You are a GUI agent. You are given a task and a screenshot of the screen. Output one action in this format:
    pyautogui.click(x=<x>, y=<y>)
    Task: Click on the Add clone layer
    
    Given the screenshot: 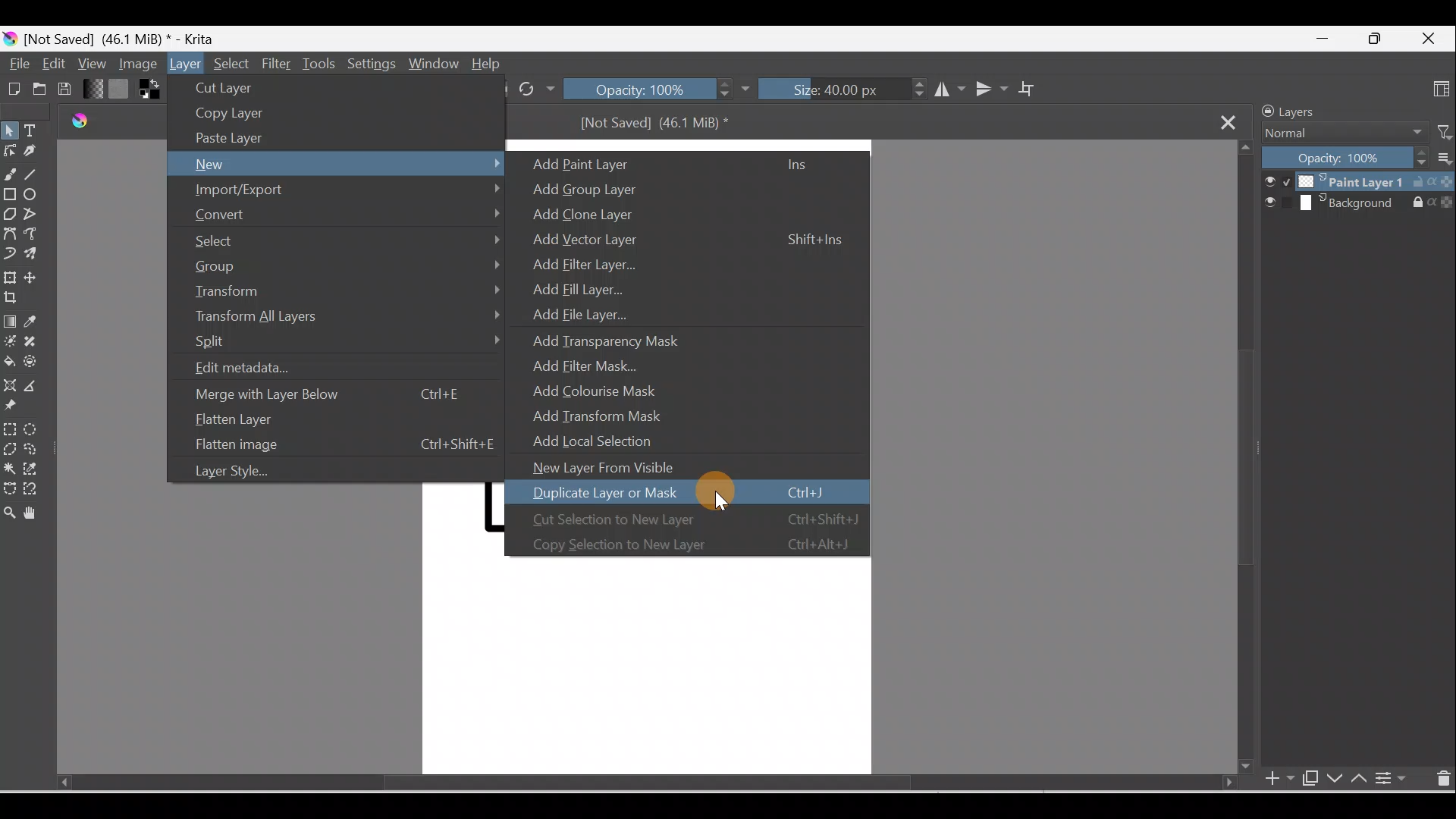 What is the action you would take?
    pyautogui.click(x=591, y=215)
    